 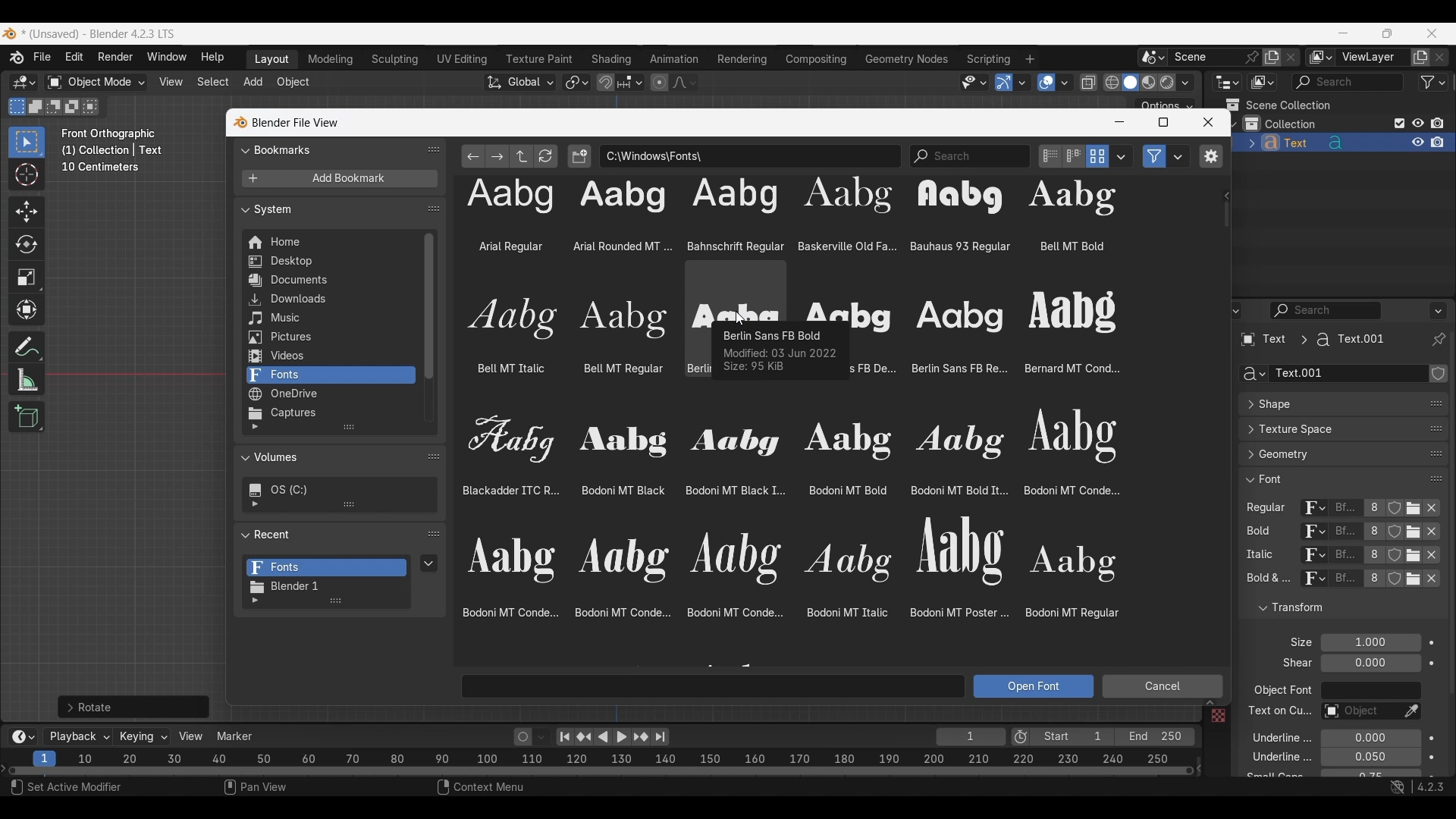 I want to click on Browse scene to be linked, so click(x=1153, y=58).